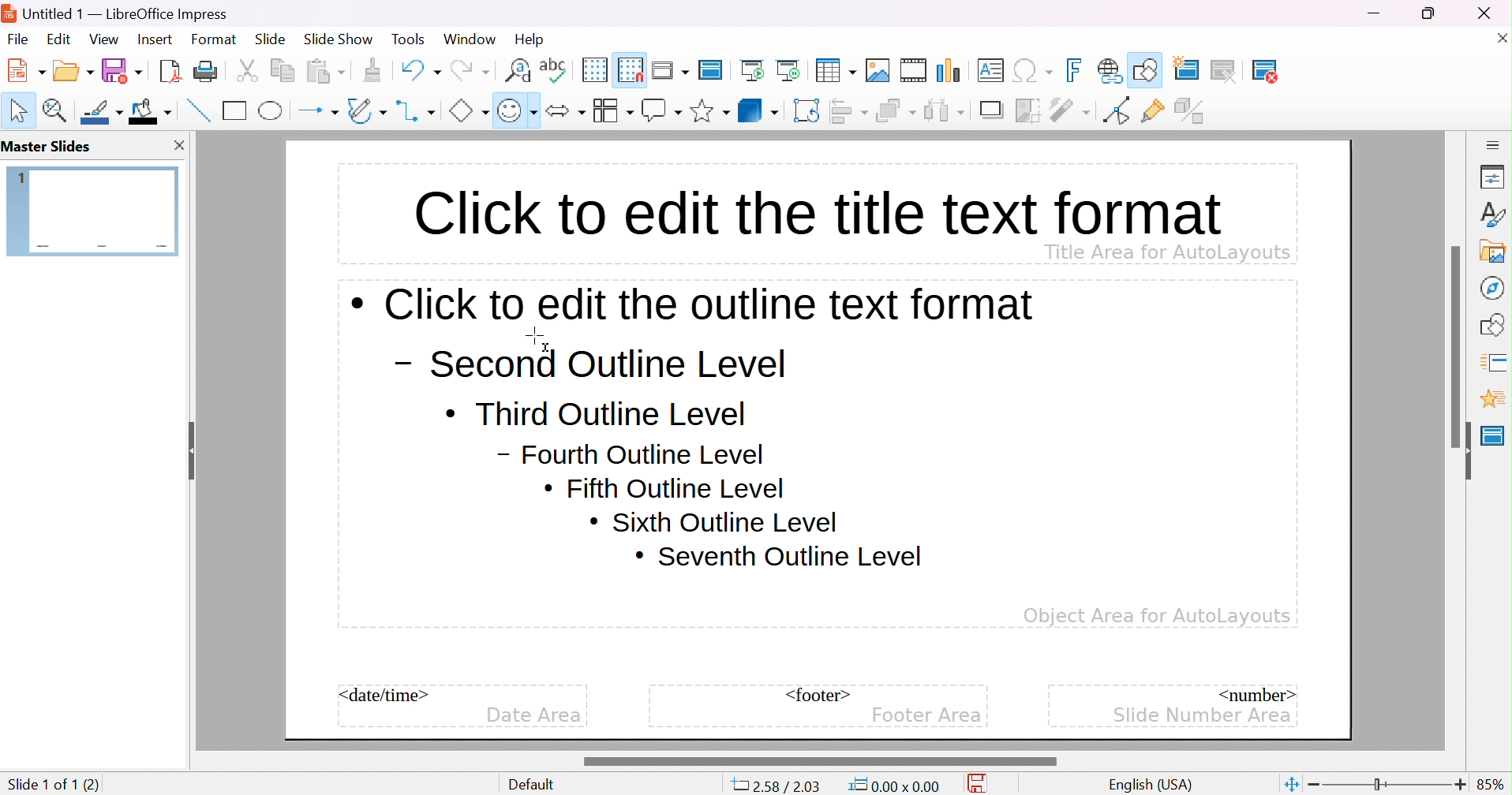 The image size is (1512, 795). Describe the element at coordinates (539, 338) in the screenshot. I see `cursor` at that location.